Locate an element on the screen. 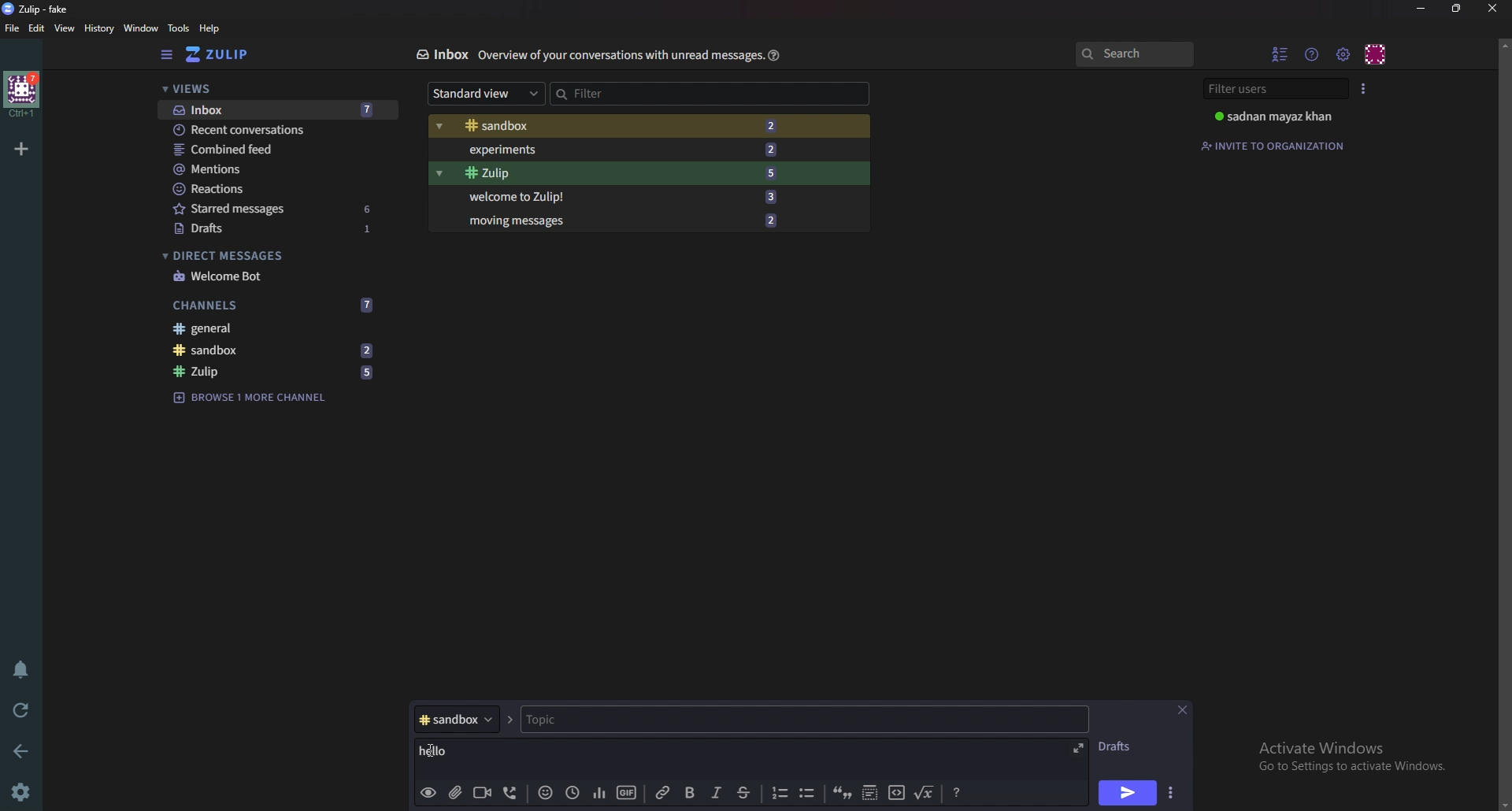 This screenshot has height=811, width=1512. Bullet list is located at coordinates (811, 791).